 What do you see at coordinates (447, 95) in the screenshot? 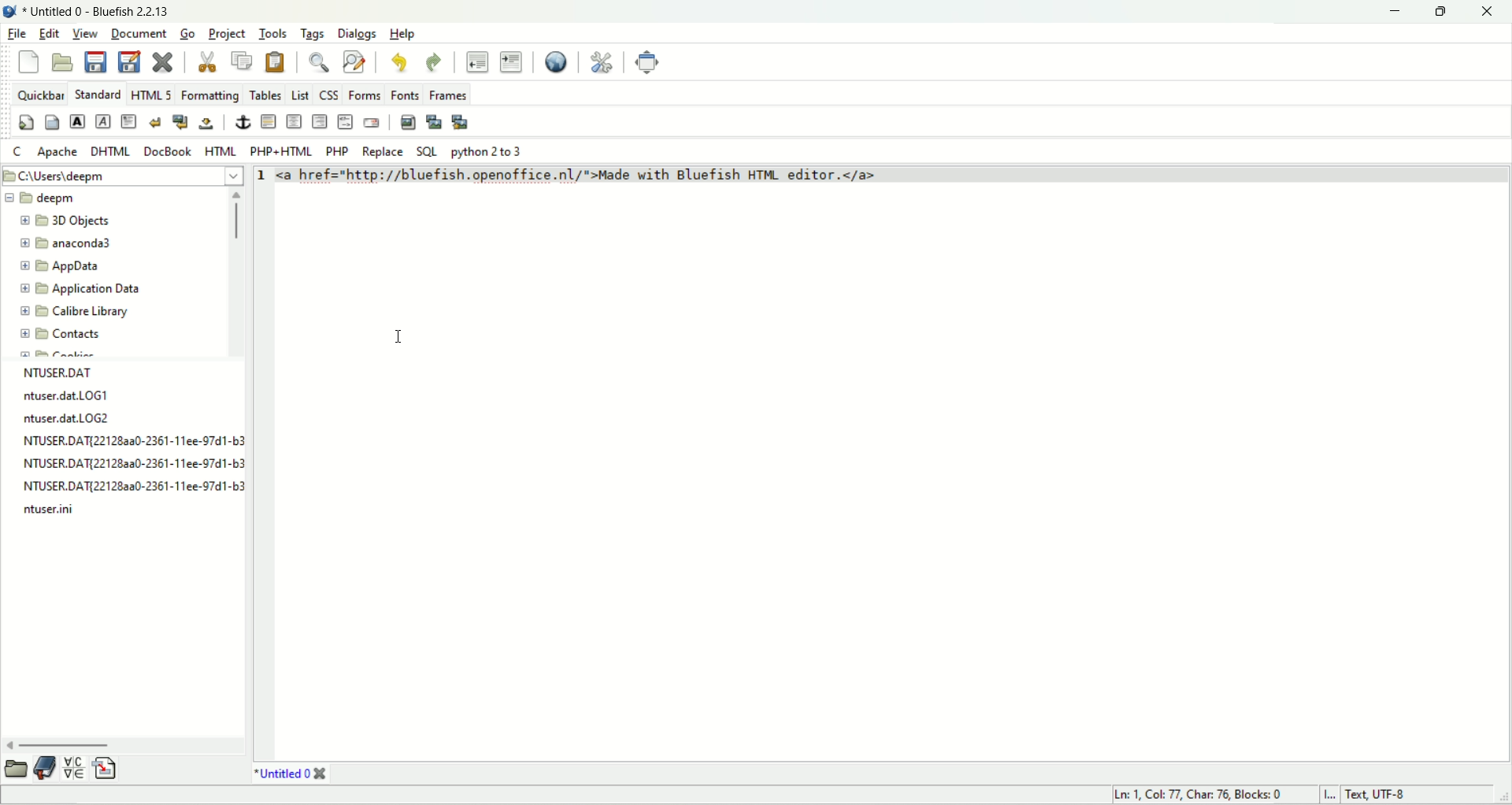
I see `frames` at bounding box center [447, 95].